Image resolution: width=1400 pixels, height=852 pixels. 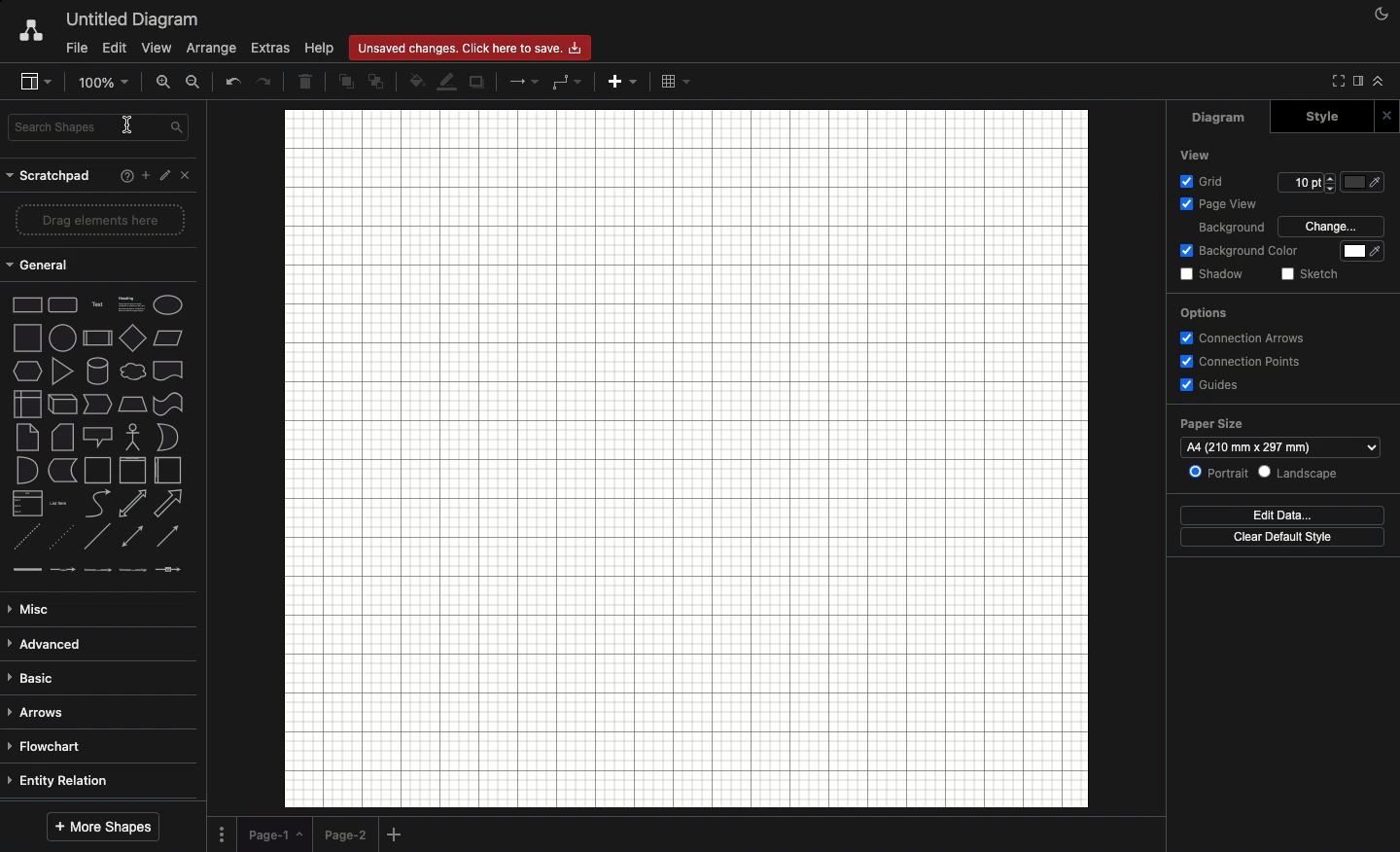 What do you see at coordinates (133, 20) in the screenshot?
I see `Untitled` at bounding box center [133, 20].